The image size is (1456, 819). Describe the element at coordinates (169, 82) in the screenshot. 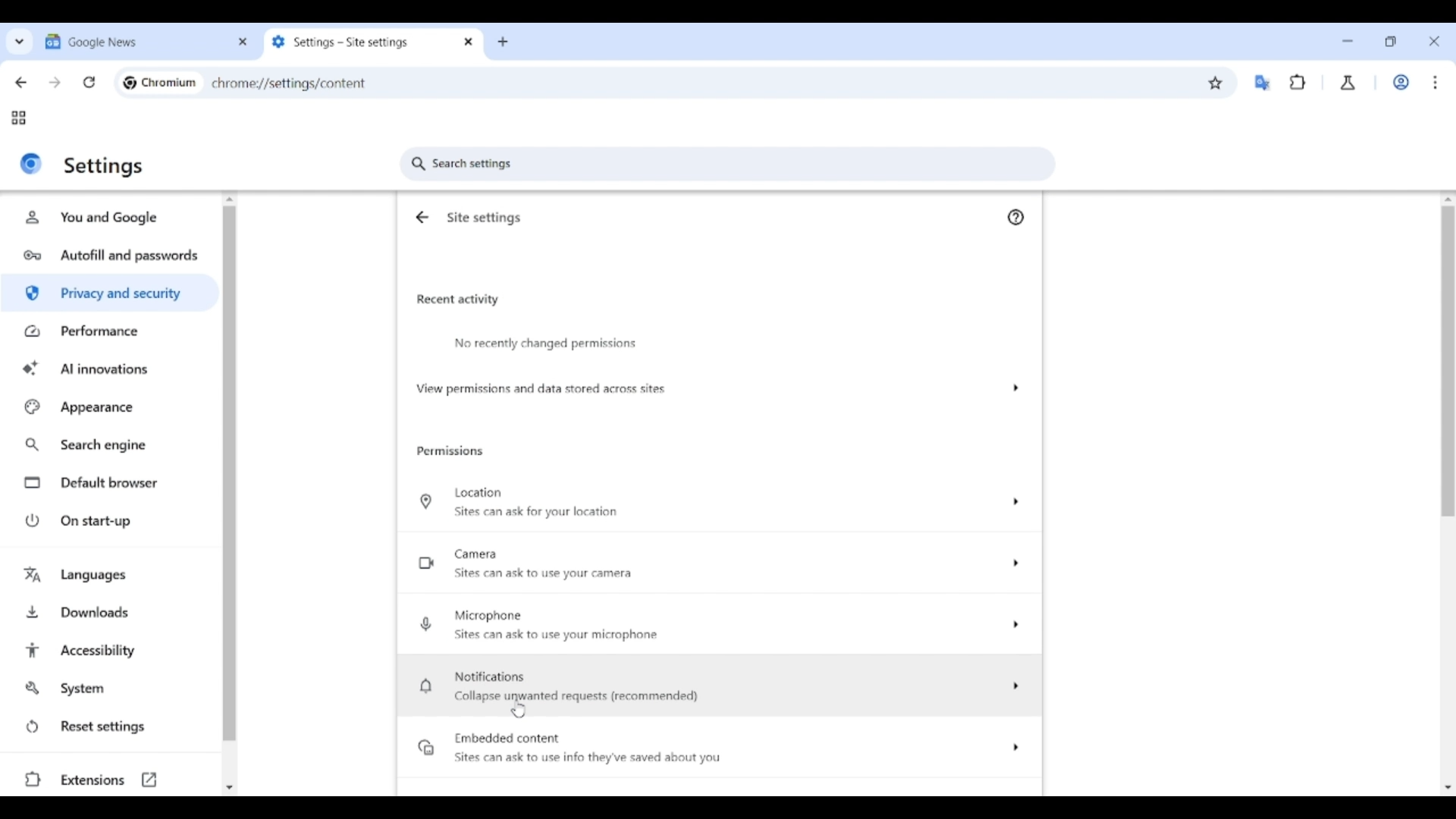

I see `Chromium` at that location.